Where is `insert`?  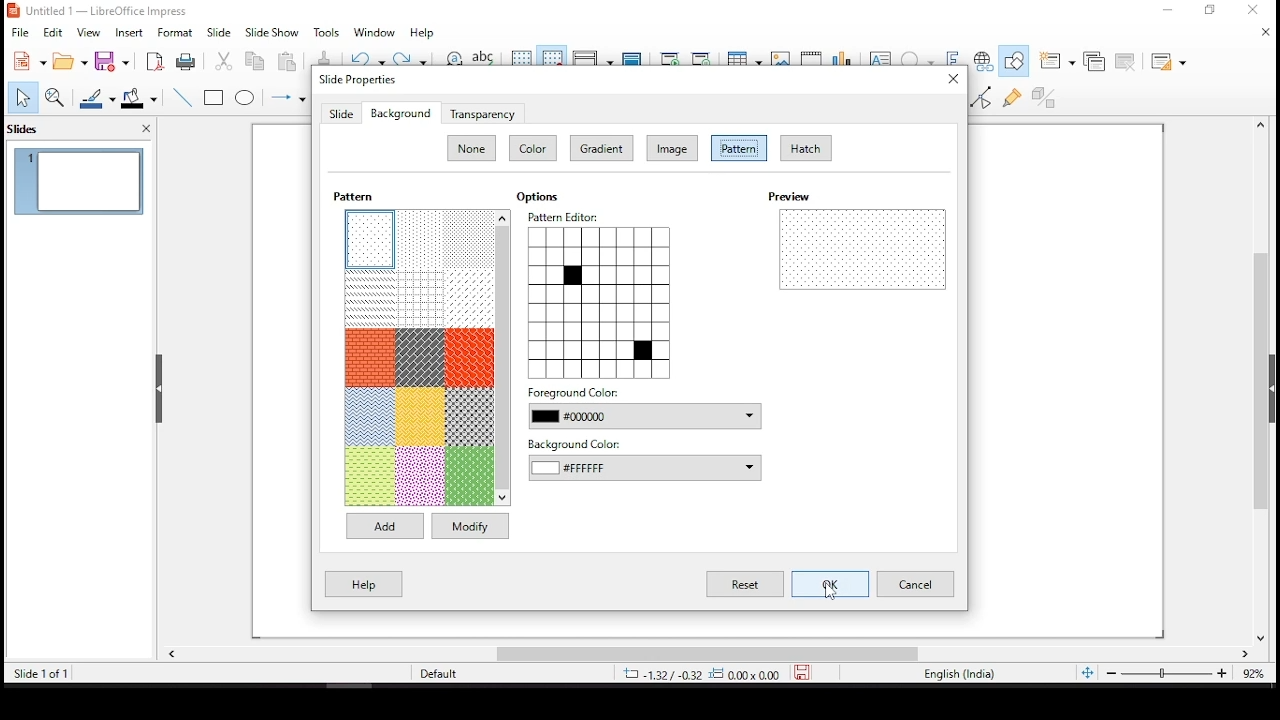
insert is located at coordinates (128, 33).